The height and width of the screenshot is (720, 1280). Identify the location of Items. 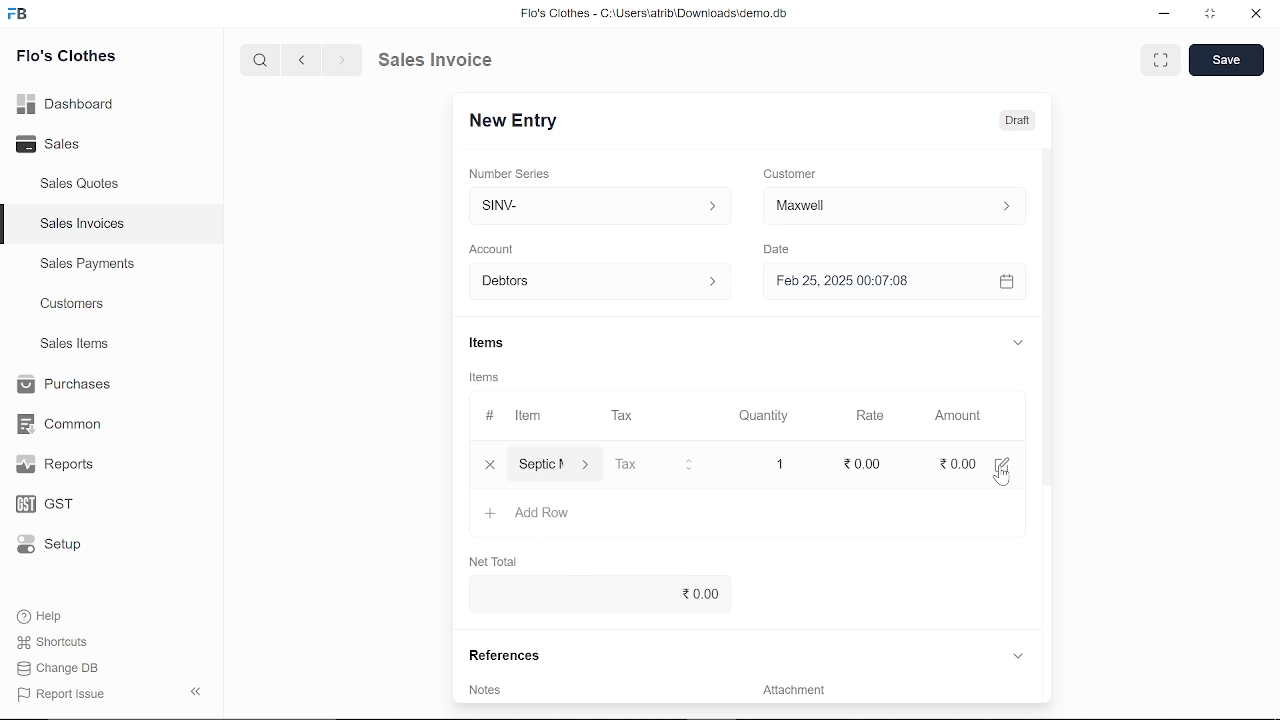
(487, 376).